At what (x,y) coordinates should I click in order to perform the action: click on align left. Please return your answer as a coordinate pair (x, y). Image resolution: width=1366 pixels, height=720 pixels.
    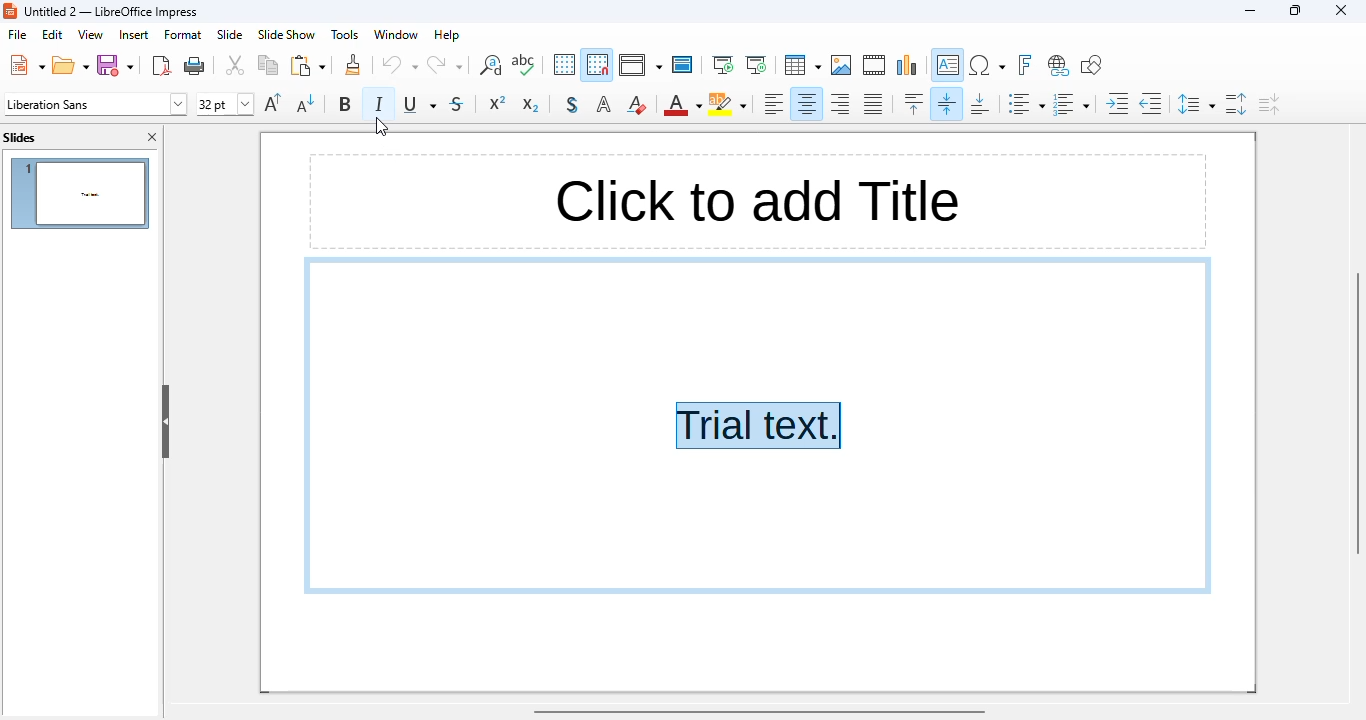
    Looking at the image, I should click on (772, 103).